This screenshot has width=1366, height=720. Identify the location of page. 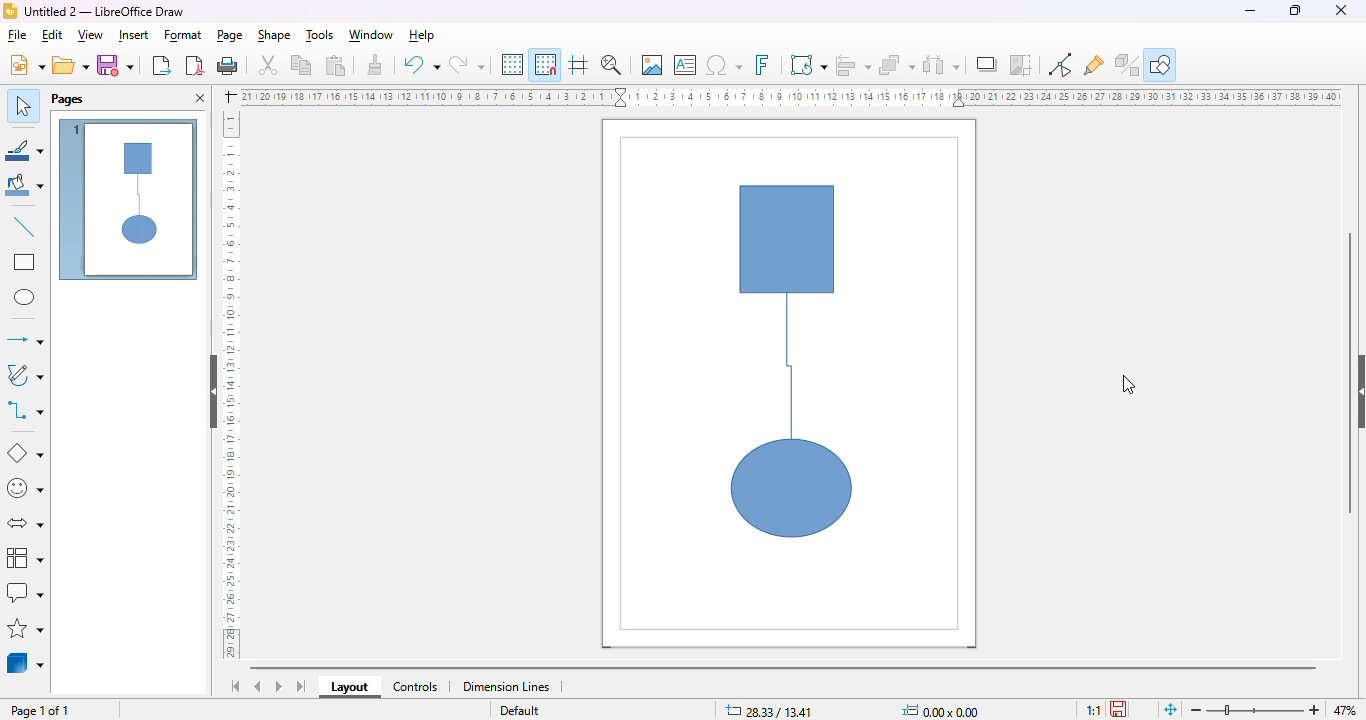
(231, 35).